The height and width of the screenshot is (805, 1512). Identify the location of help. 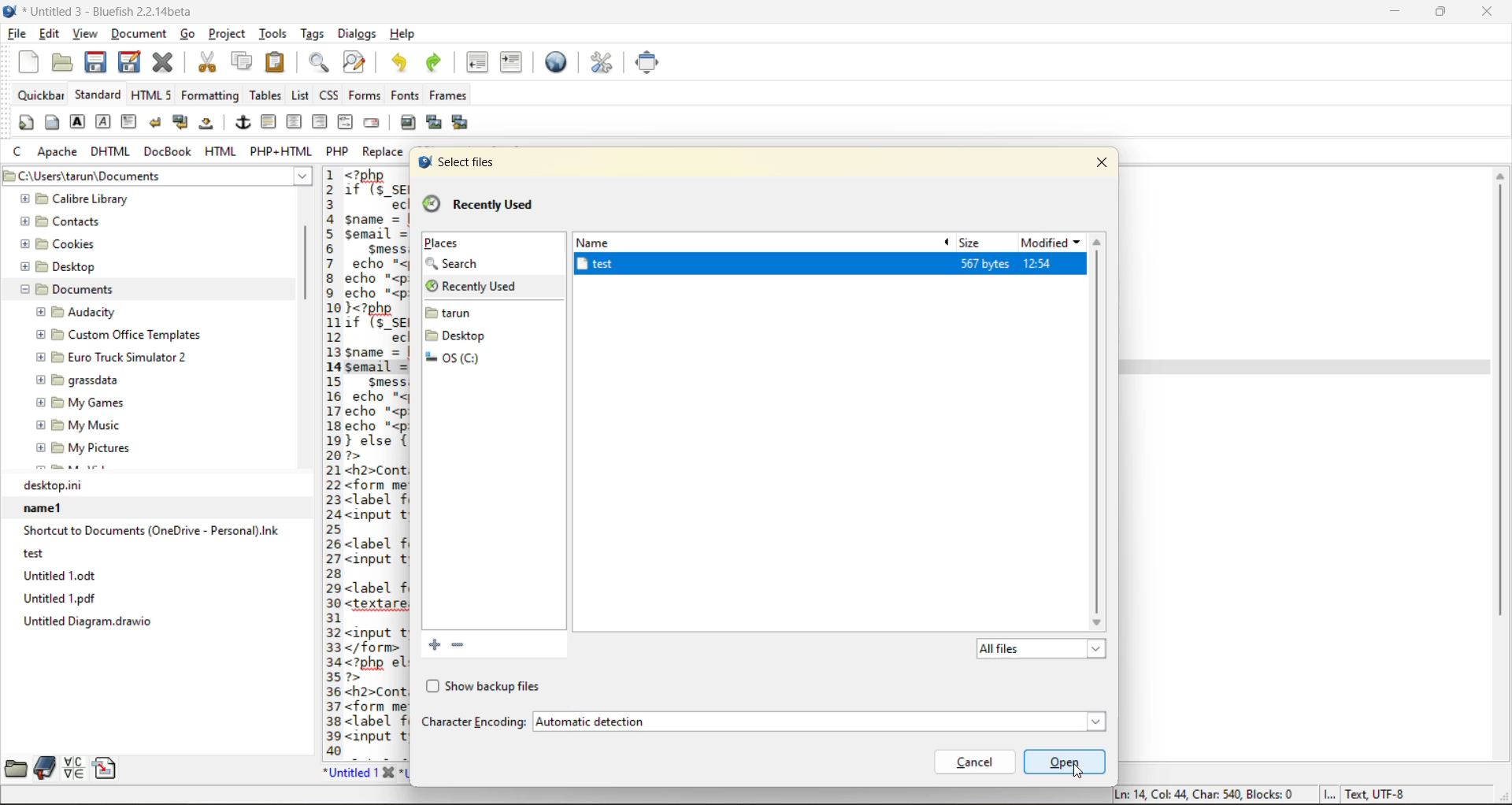
(402, 34).